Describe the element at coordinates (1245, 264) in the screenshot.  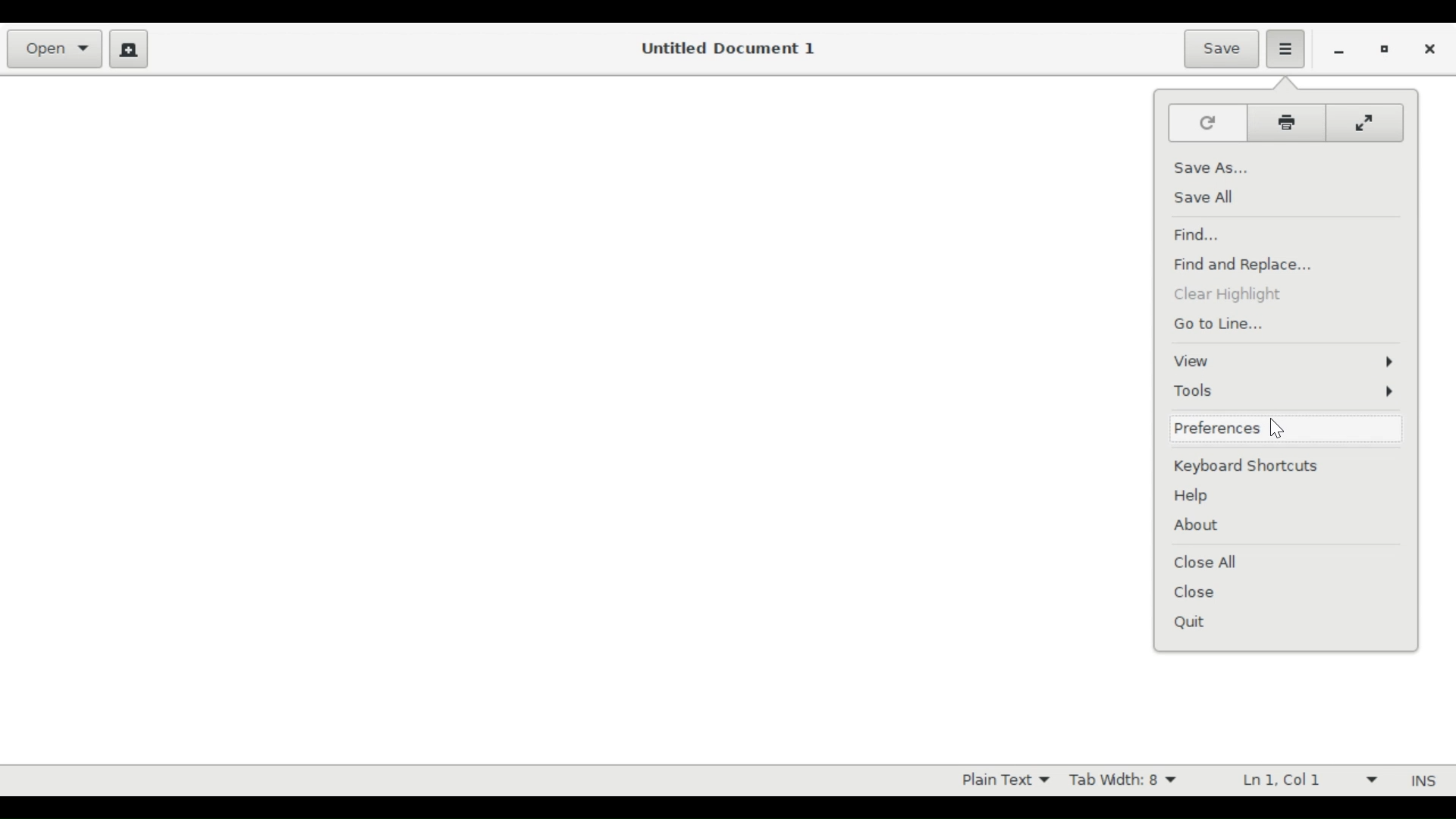
I see `Find and Replace` at that location.